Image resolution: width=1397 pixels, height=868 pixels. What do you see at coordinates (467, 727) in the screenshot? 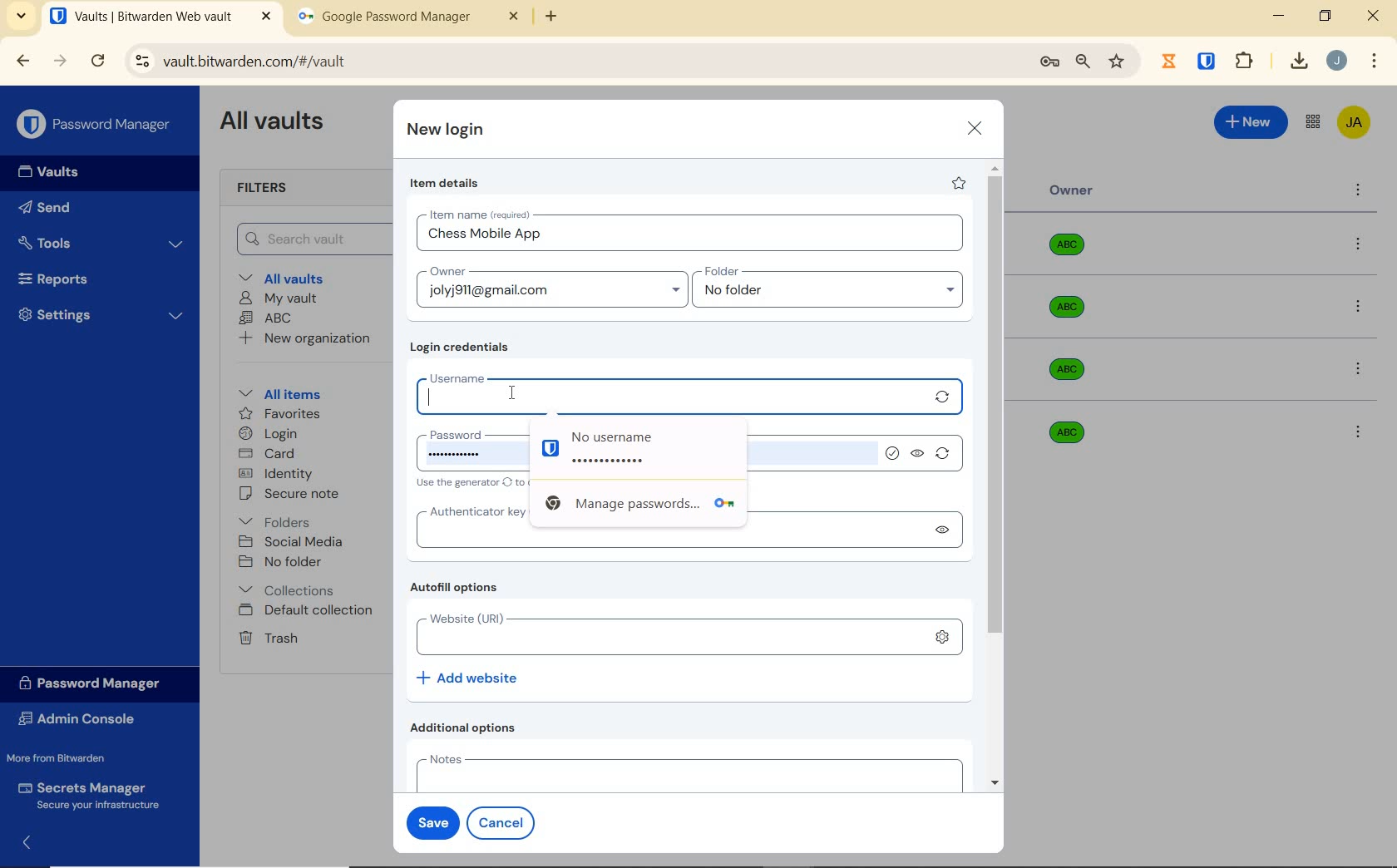
I see `dditional options` at bounding box center [467, 727].